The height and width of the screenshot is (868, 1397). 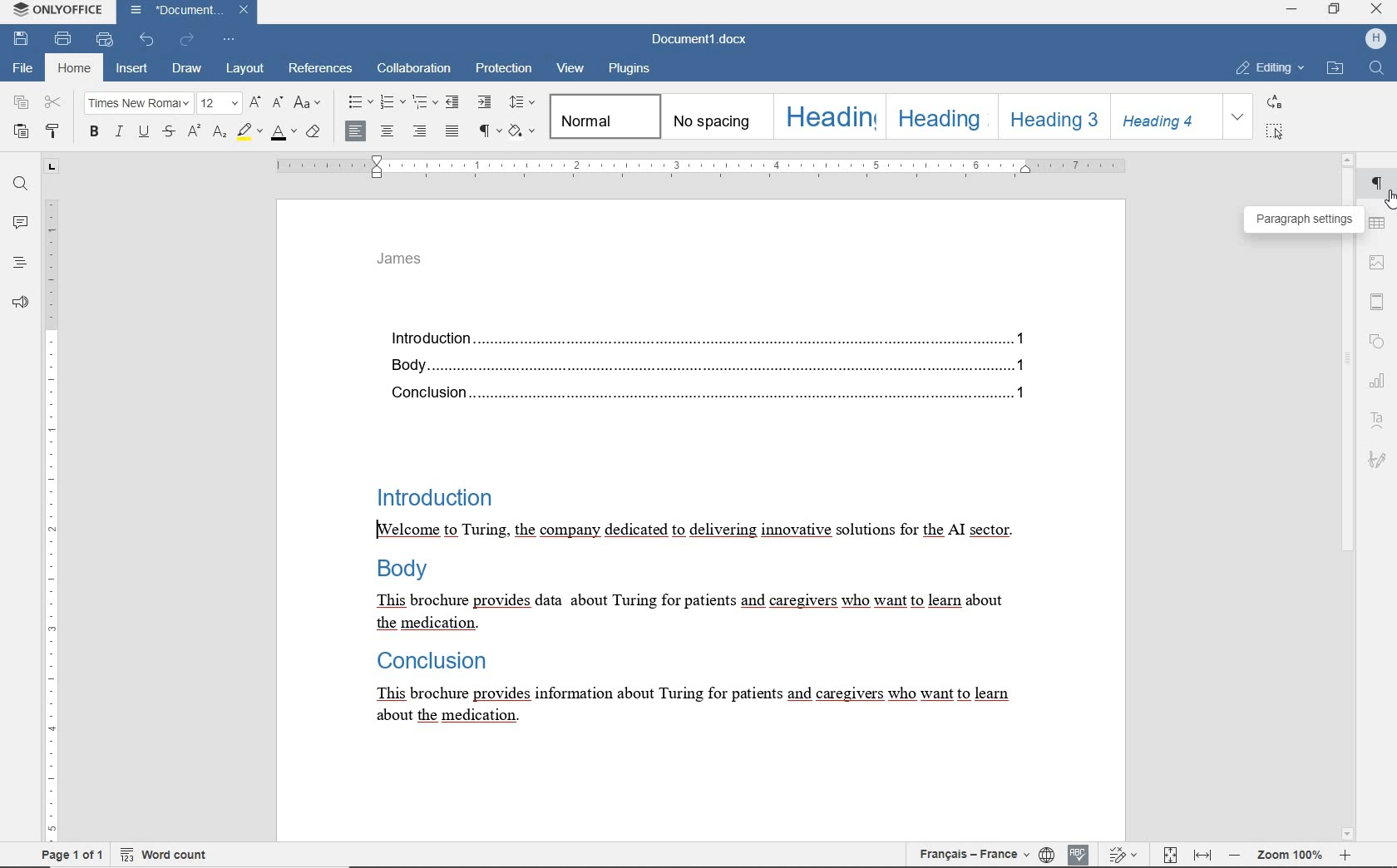 What do you see at coordinates (353, 130) in the screenshot?
I see `align center` at bounding box center [353, 130].